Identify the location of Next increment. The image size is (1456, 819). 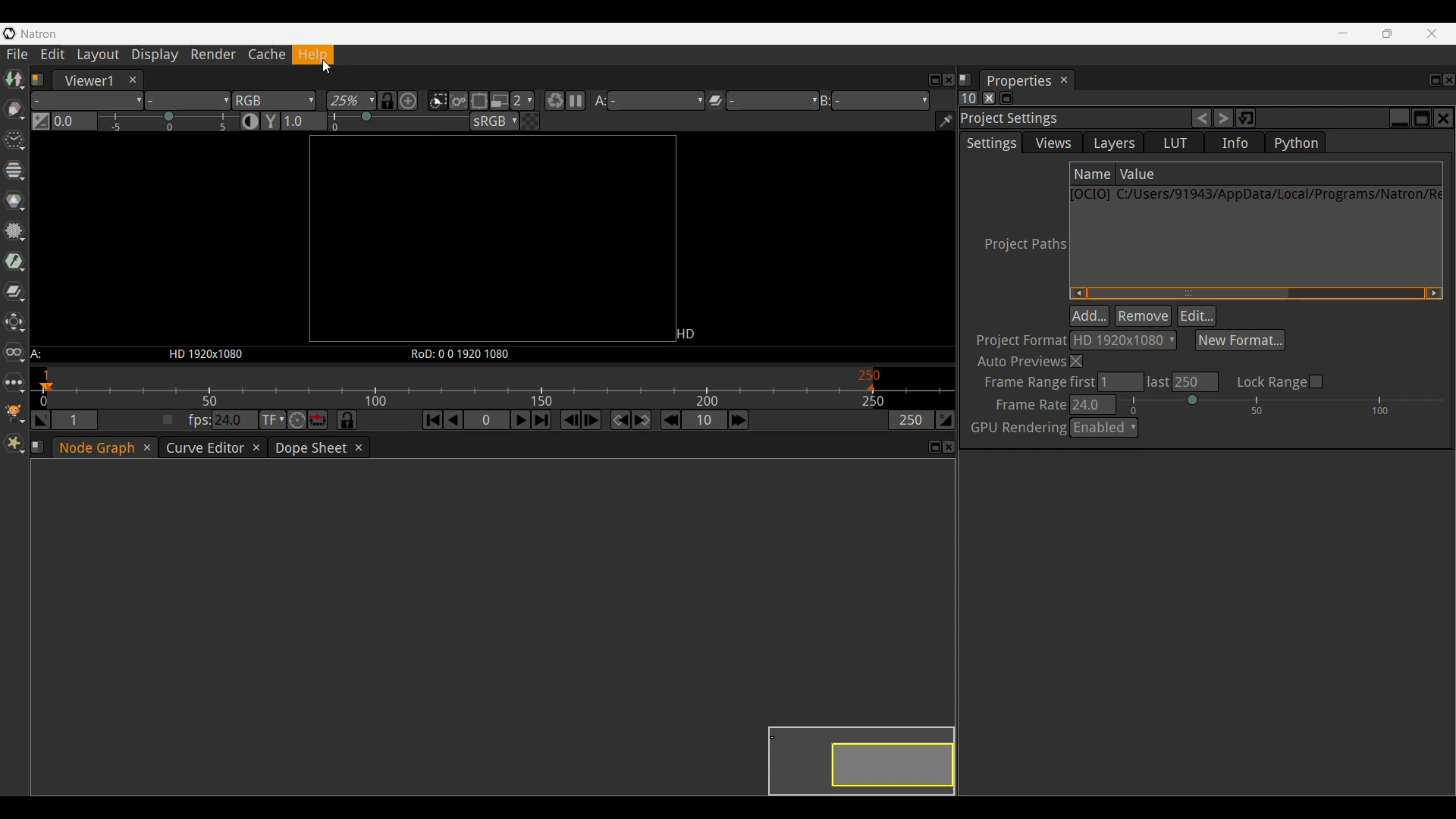
(738, 420).